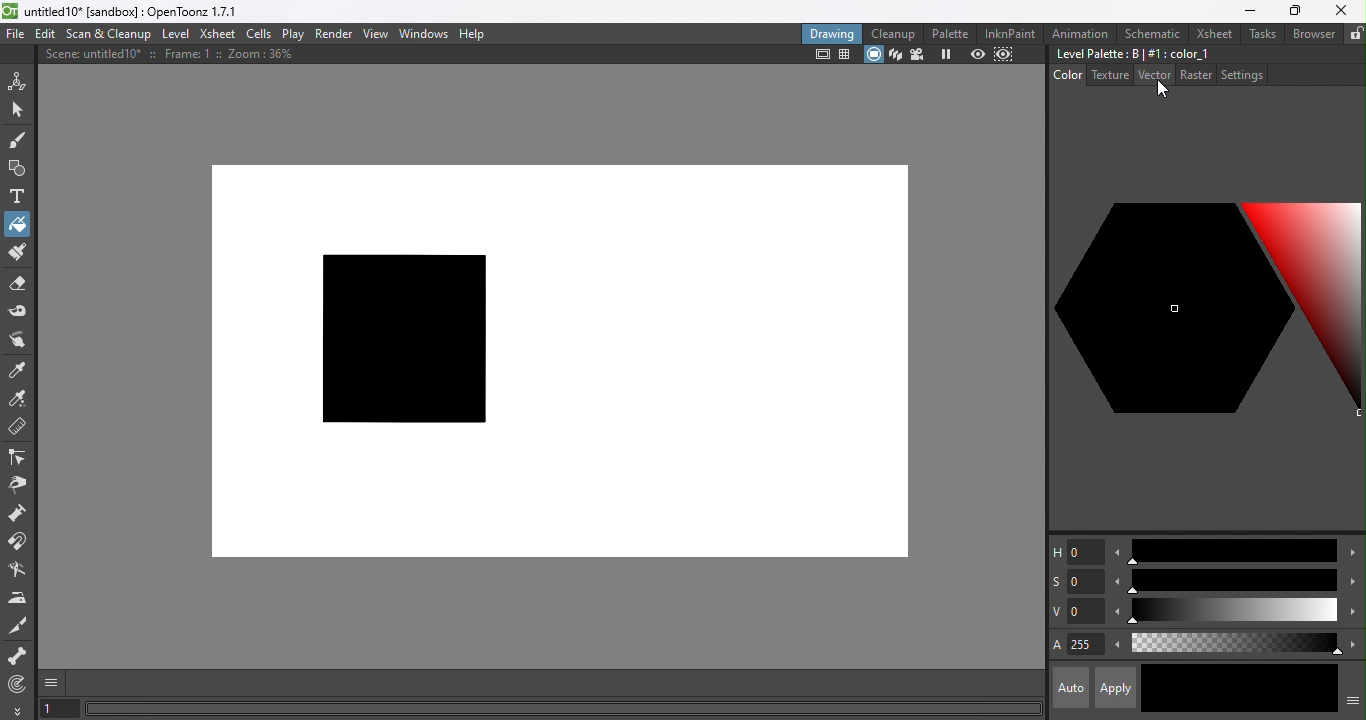 Image resolution: width=1366 pixels, height=720 pixels. What do you see at coordinates (24, 513) in the screenshot?
I see `Pump tool` at bounding box center [24, 513].